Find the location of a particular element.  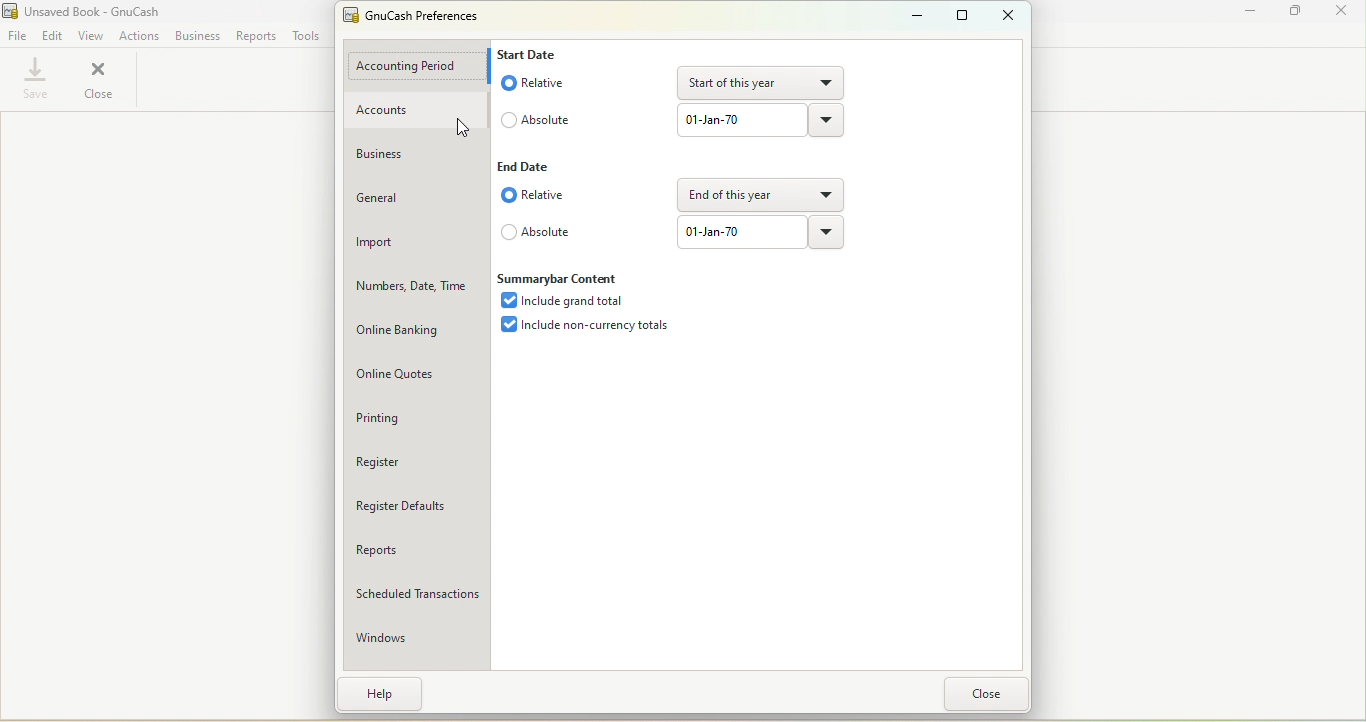

Business is located at coordinates (197, 35).